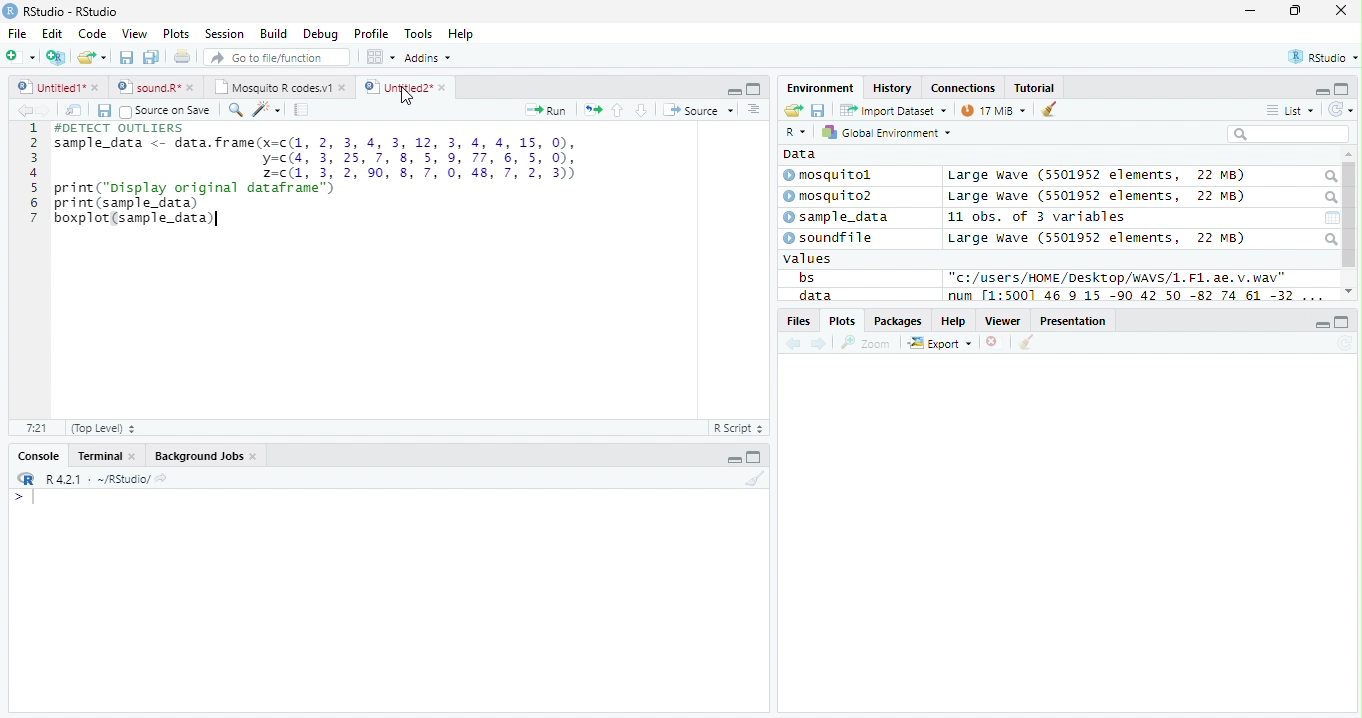  I want to click on search bar, so click(1288, 133).